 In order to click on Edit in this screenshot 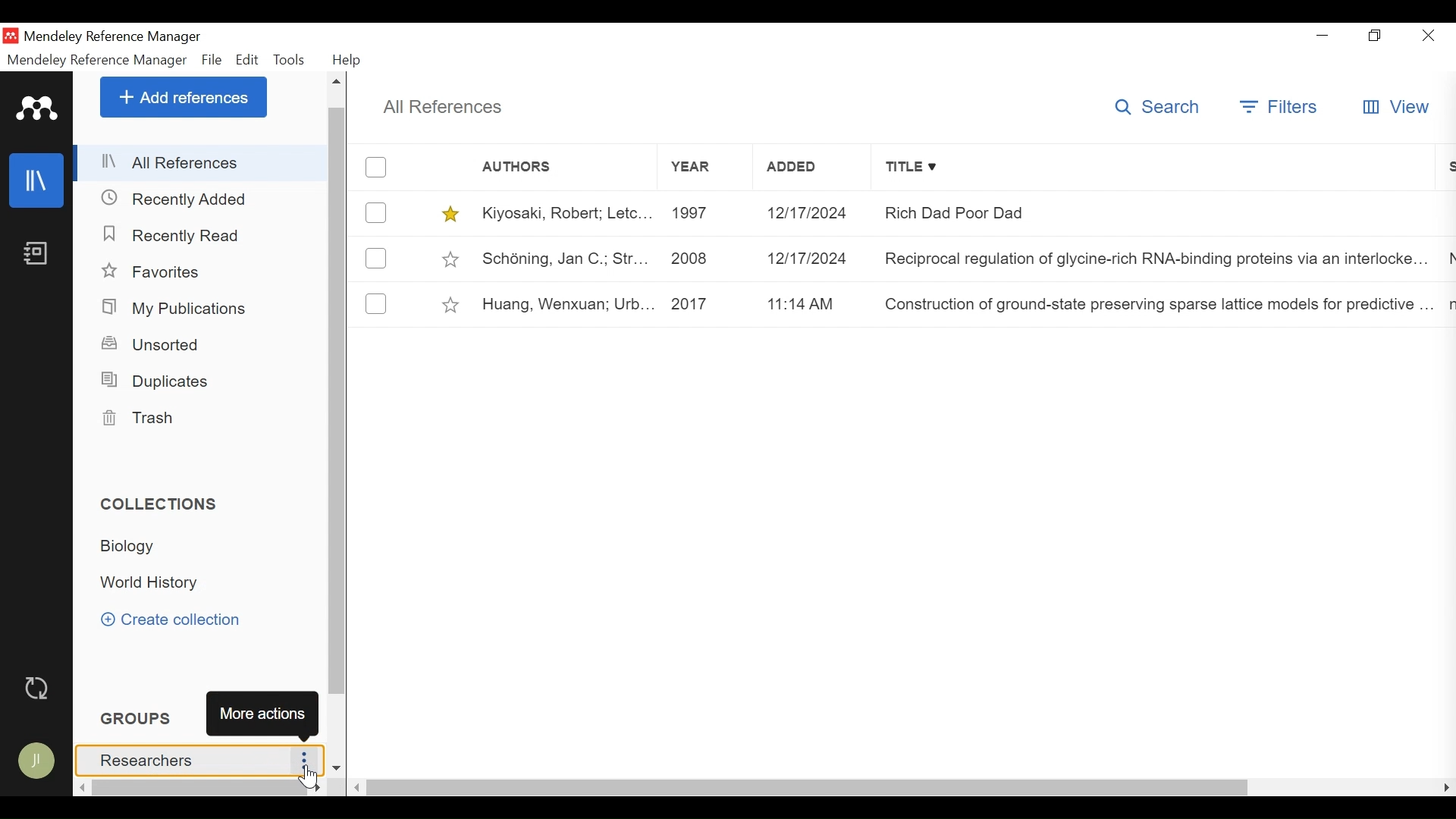, I will do `click(246, 60)`.